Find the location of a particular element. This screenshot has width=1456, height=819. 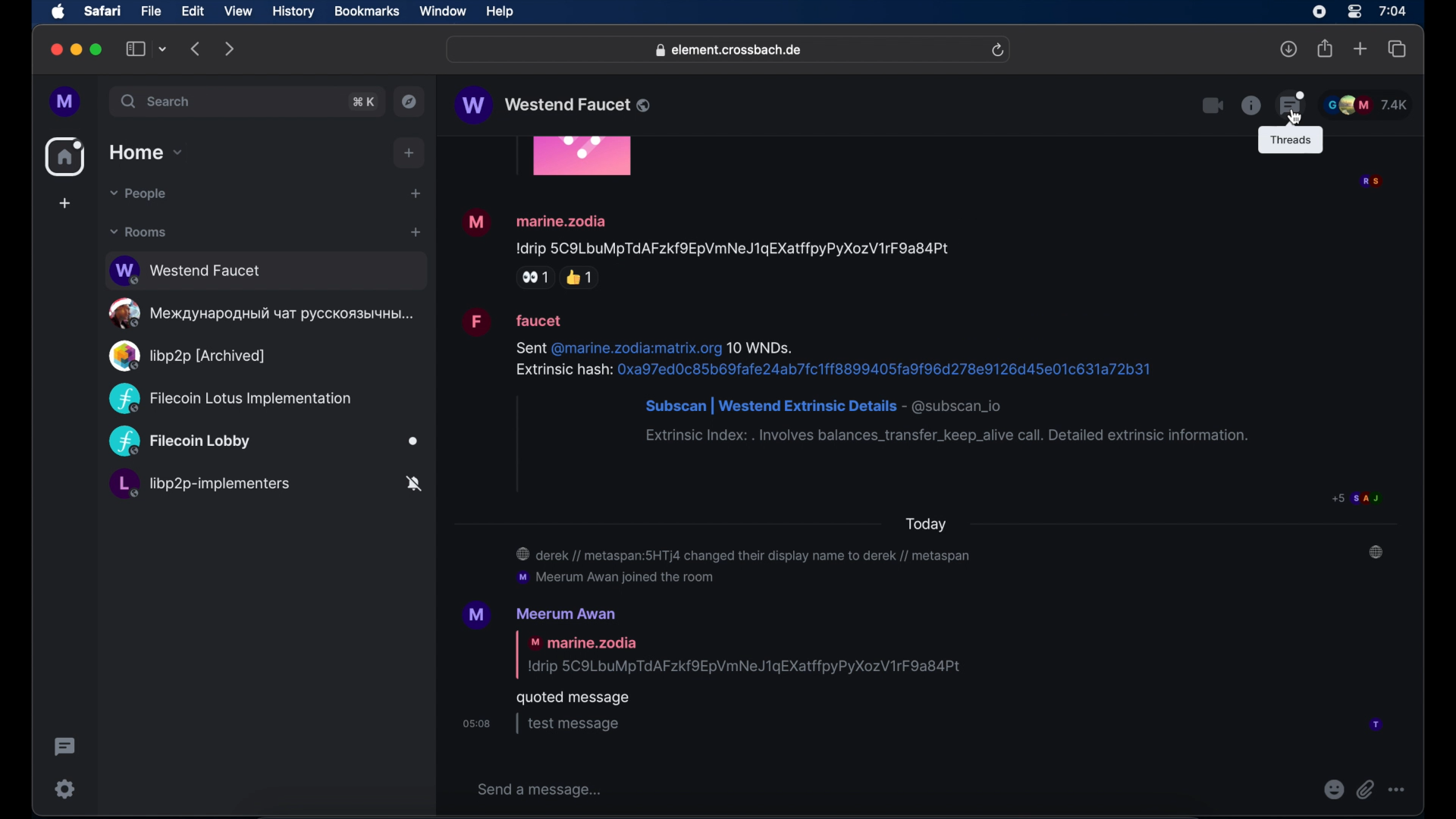

show tab overview is located at coordinates (134, 49).